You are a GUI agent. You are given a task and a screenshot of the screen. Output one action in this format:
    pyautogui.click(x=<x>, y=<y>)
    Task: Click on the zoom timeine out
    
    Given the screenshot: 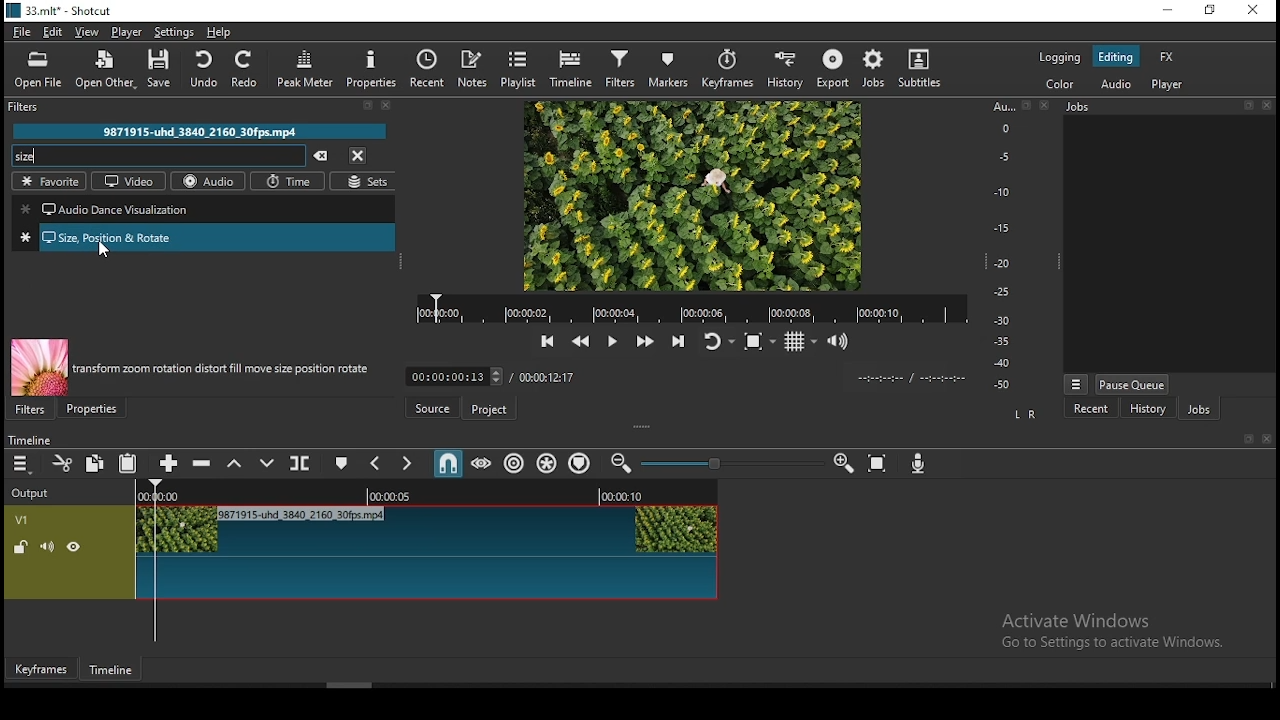 What is the action you would take?
    pyautogui.click(x=623, y=466)
    